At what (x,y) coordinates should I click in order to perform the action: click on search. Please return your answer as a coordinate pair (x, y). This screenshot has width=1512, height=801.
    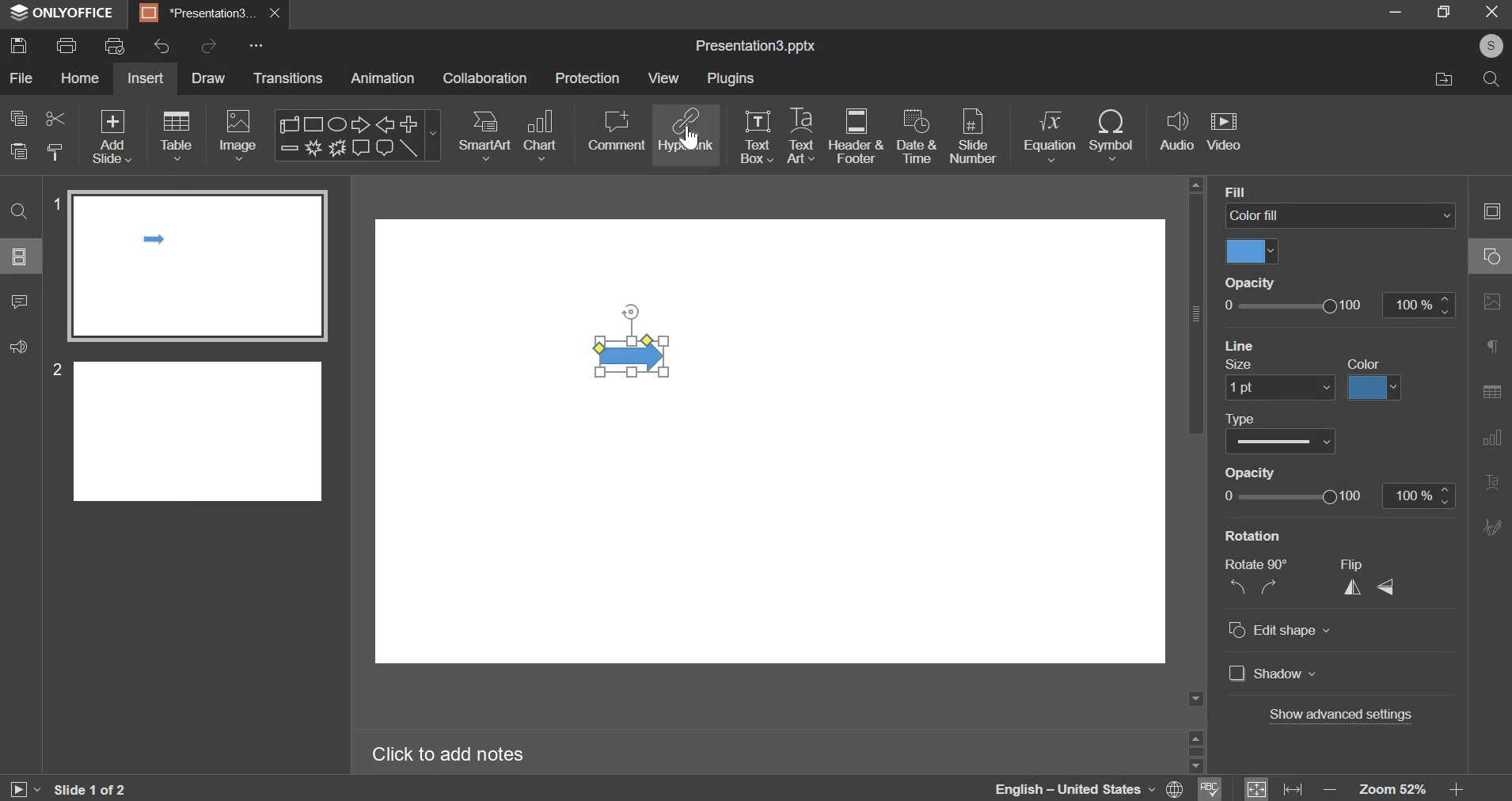
    Looking at the image, I should click on (1494, 82).